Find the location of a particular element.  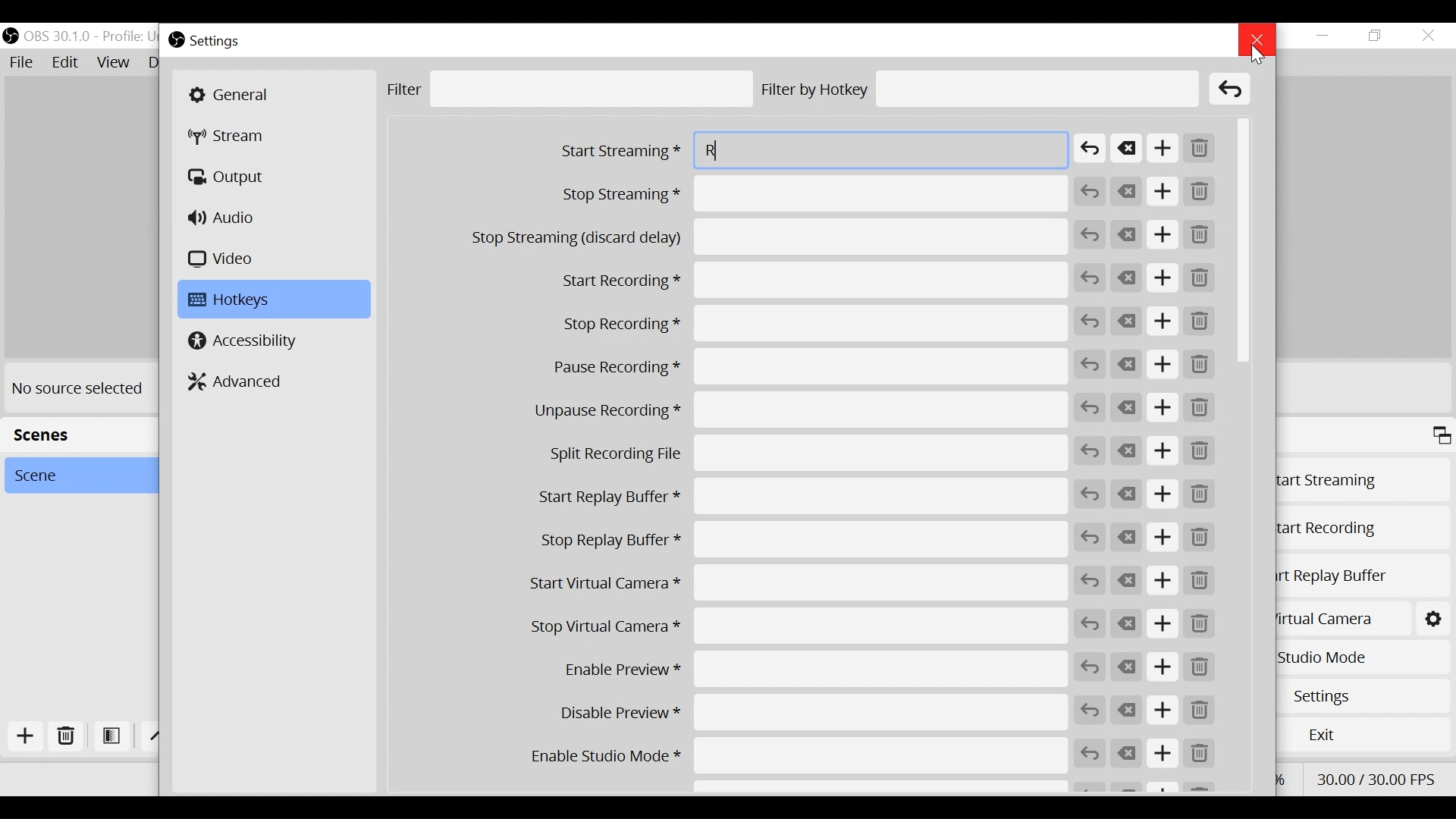

Add is located at coordinates (1164, 581).